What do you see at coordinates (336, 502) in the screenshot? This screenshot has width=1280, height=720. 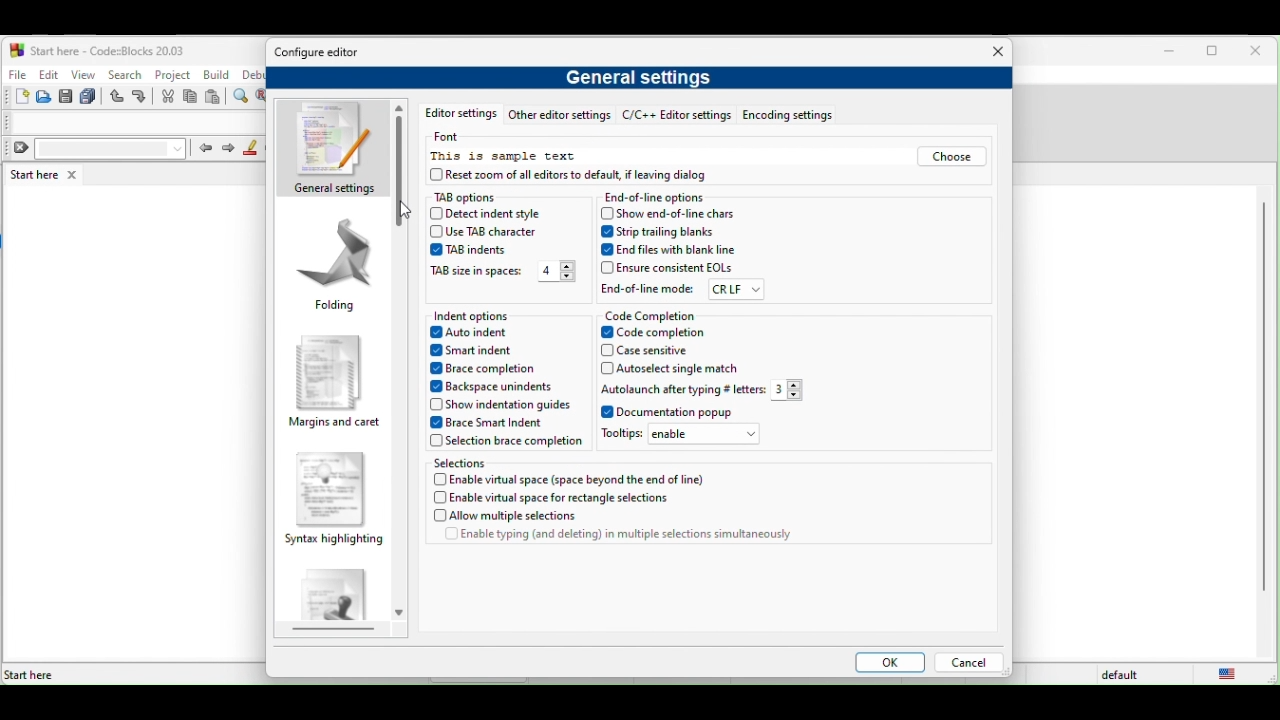 I see `syntax highlighting` at bounding box center [336, 502].